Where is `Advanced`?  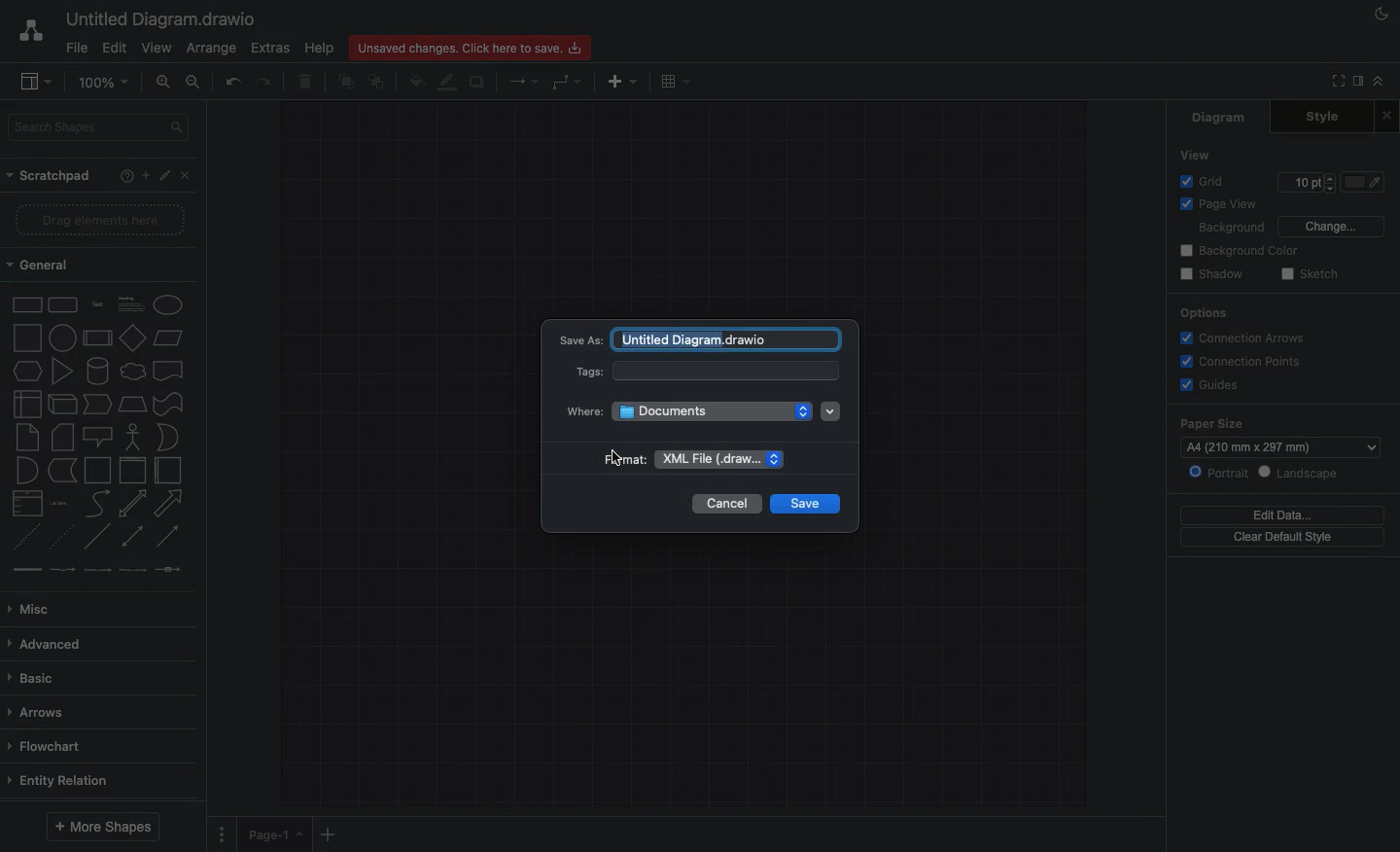 Advanced is located at coordinates (48, 646).